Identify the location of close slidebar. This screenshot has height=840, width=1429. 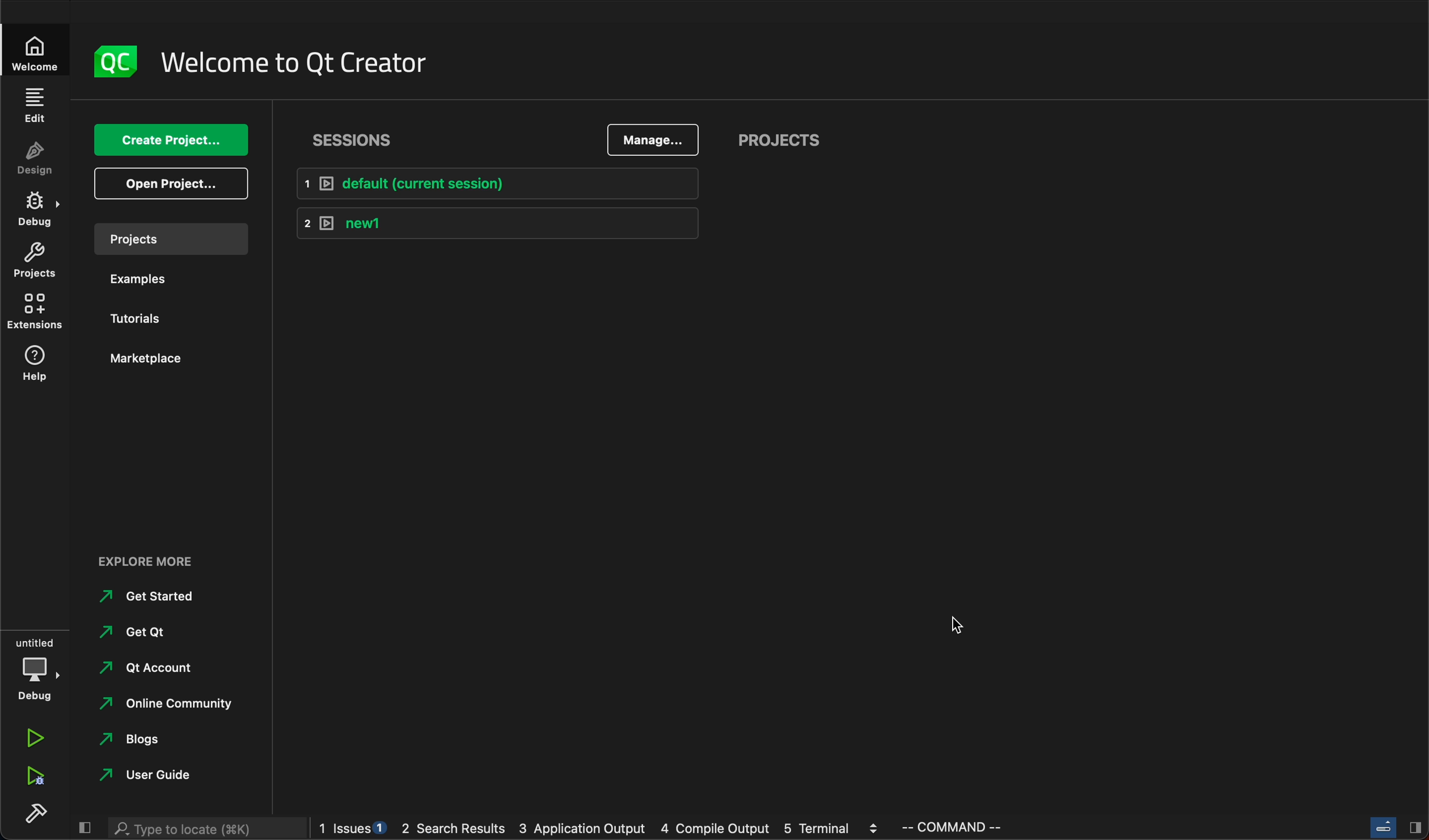
(84, 827).